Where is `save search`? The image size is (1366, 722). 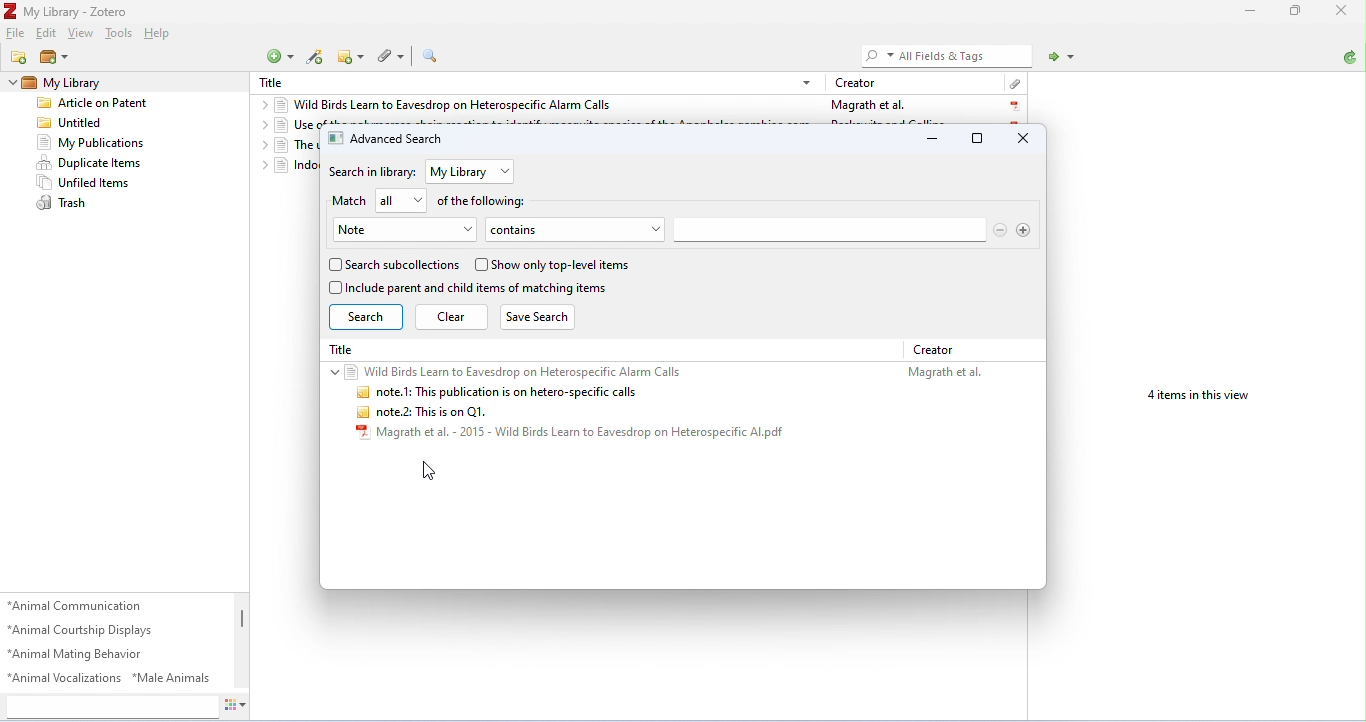 save search is located at coordinates (543, 317).